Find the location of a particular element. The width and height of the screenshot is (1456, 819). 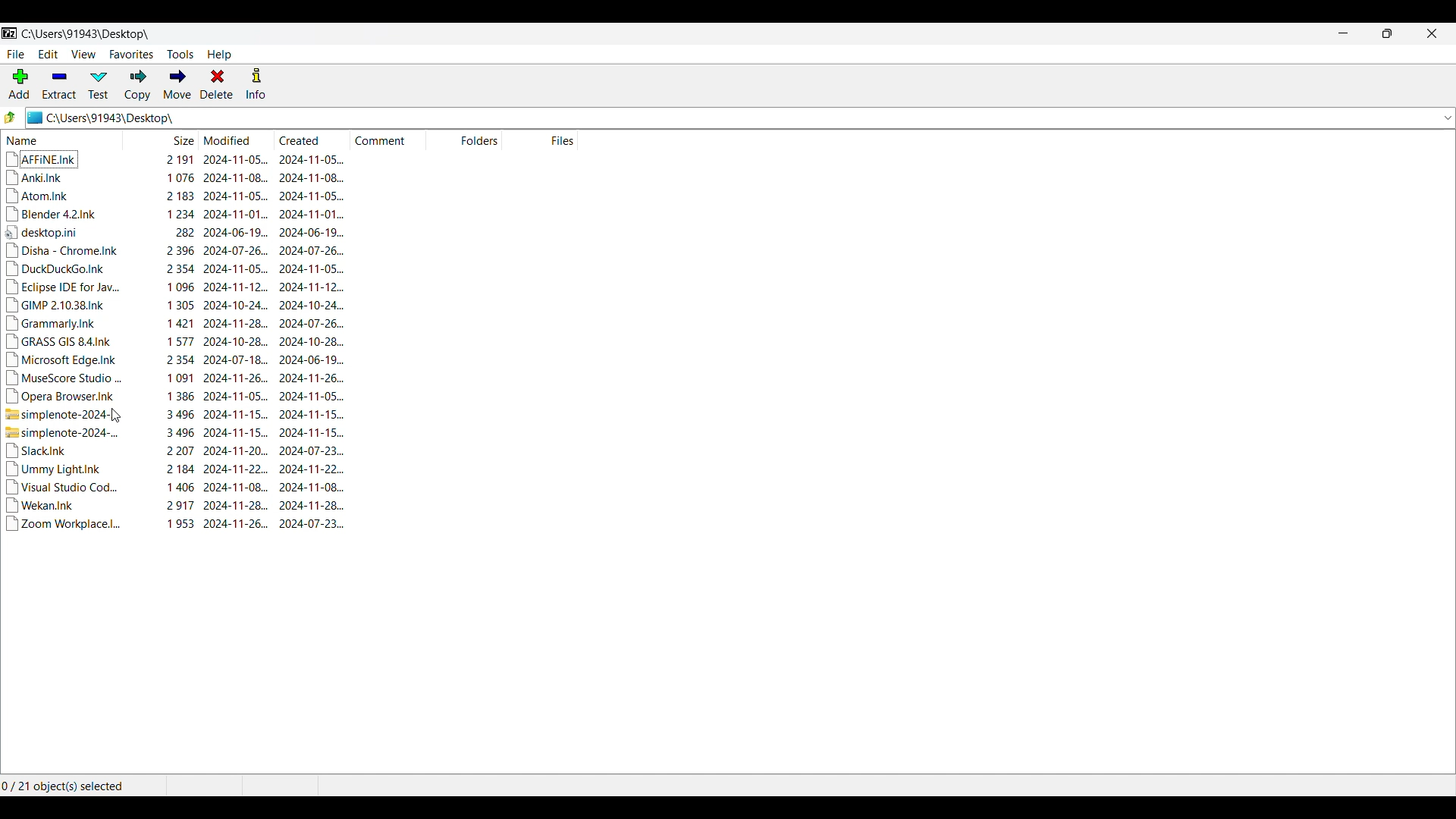

View is located at coordinates (84, 54).